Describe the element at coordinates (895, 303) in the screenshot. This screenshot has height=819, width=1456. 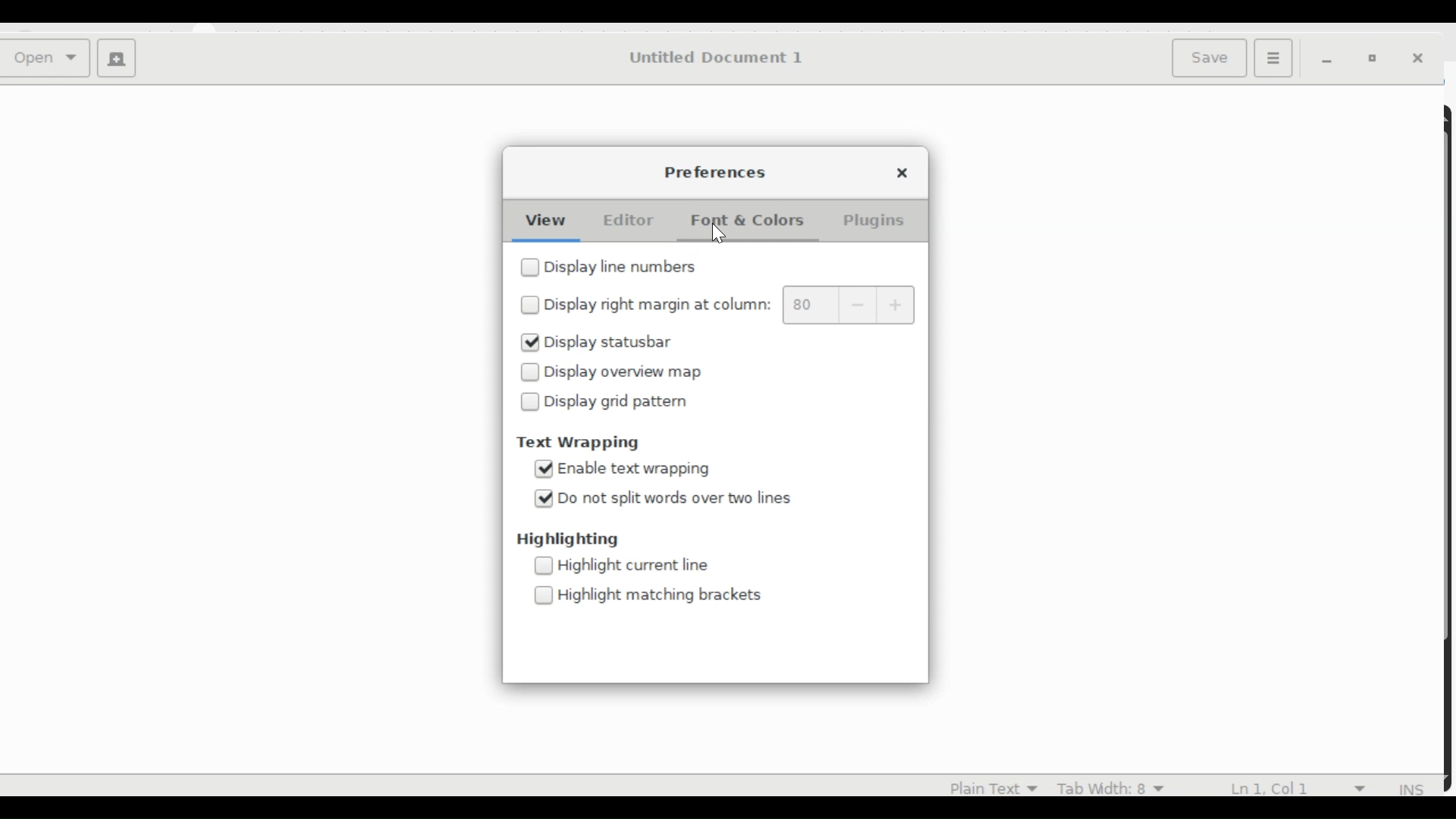
I see `increase right margin value` at that location.